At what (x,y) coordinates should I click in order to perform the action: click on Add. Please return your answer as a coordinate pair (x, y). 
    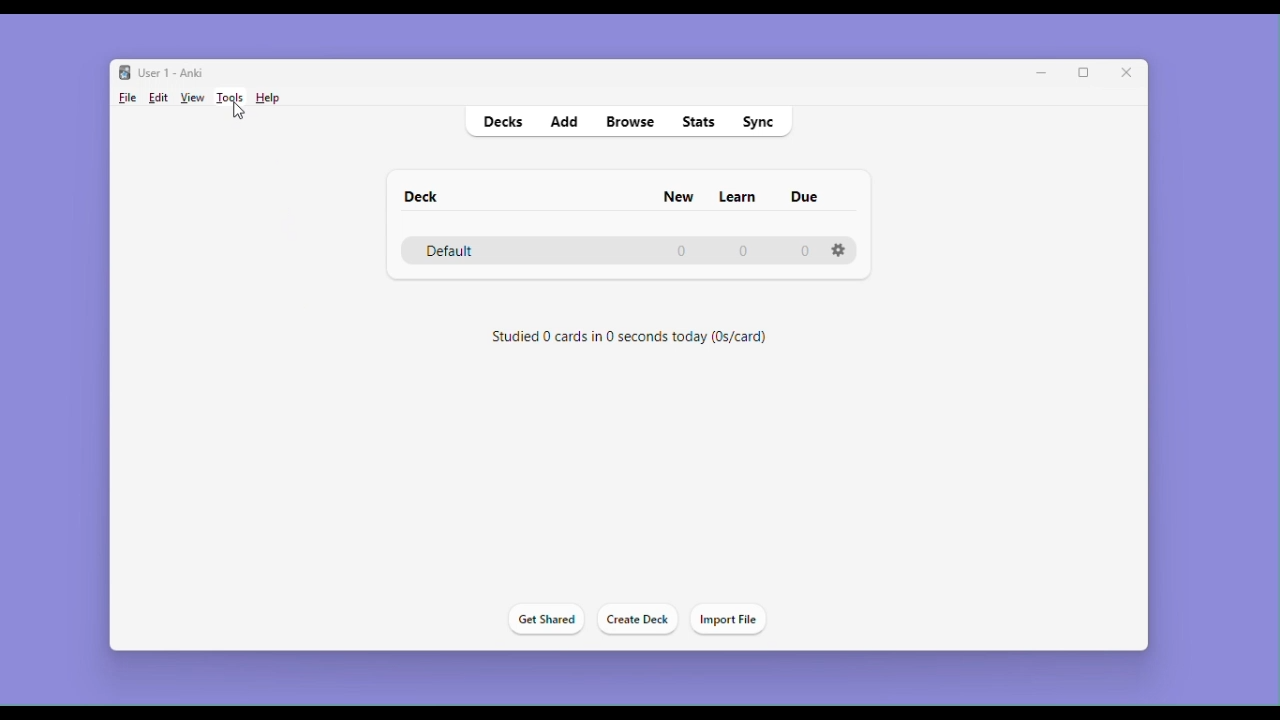
    Looking at the image, I should click on (564, 121).